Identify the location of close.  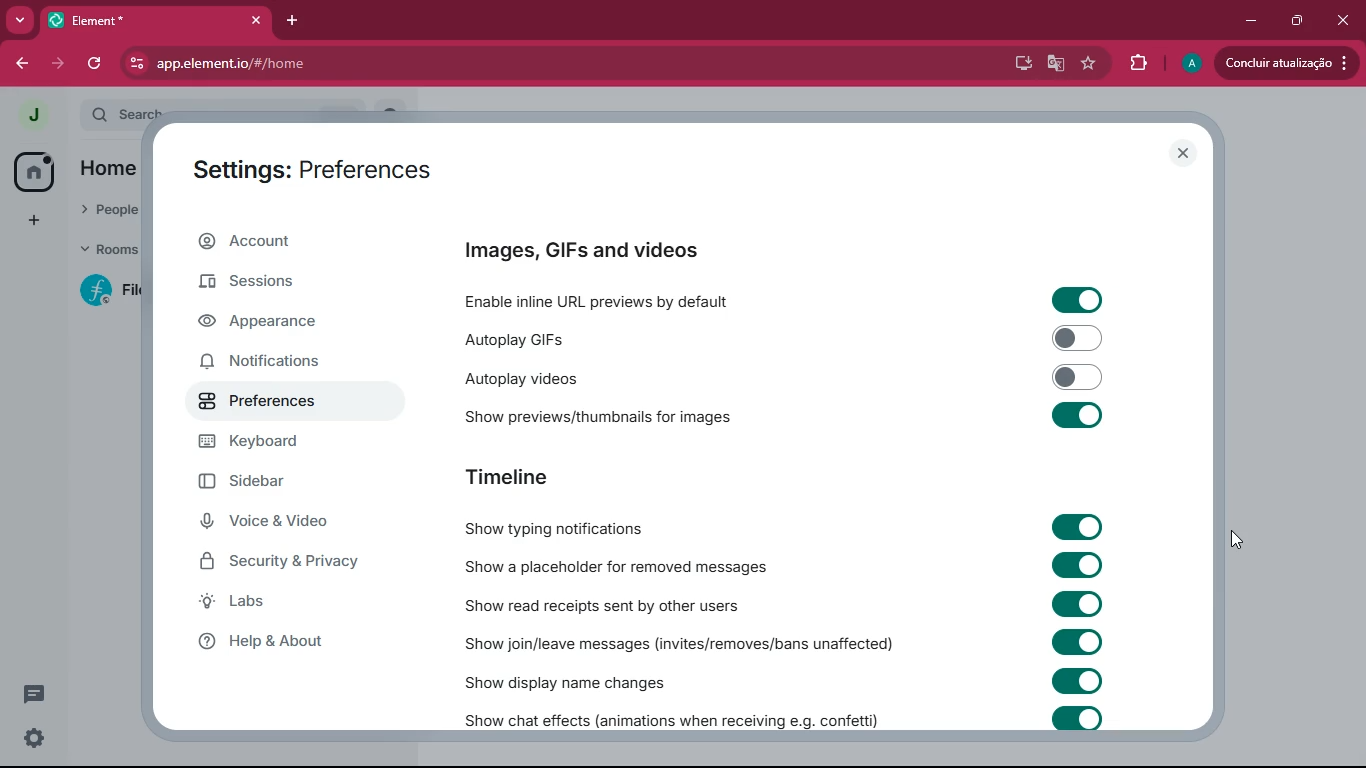
(1346, 20).